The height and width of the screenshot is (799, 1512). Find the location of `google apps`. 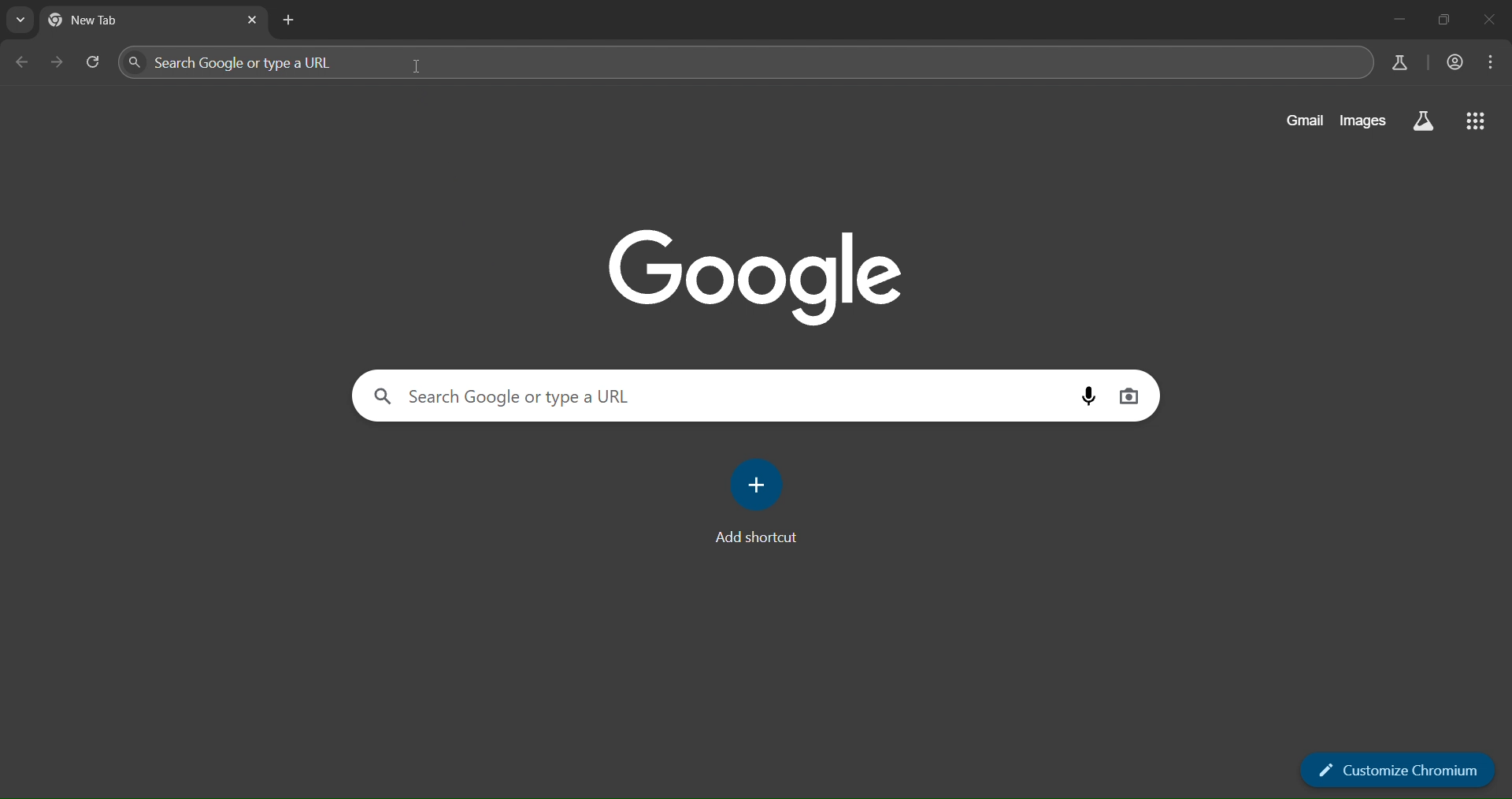

google apps is located at coordinates (1478, 121).